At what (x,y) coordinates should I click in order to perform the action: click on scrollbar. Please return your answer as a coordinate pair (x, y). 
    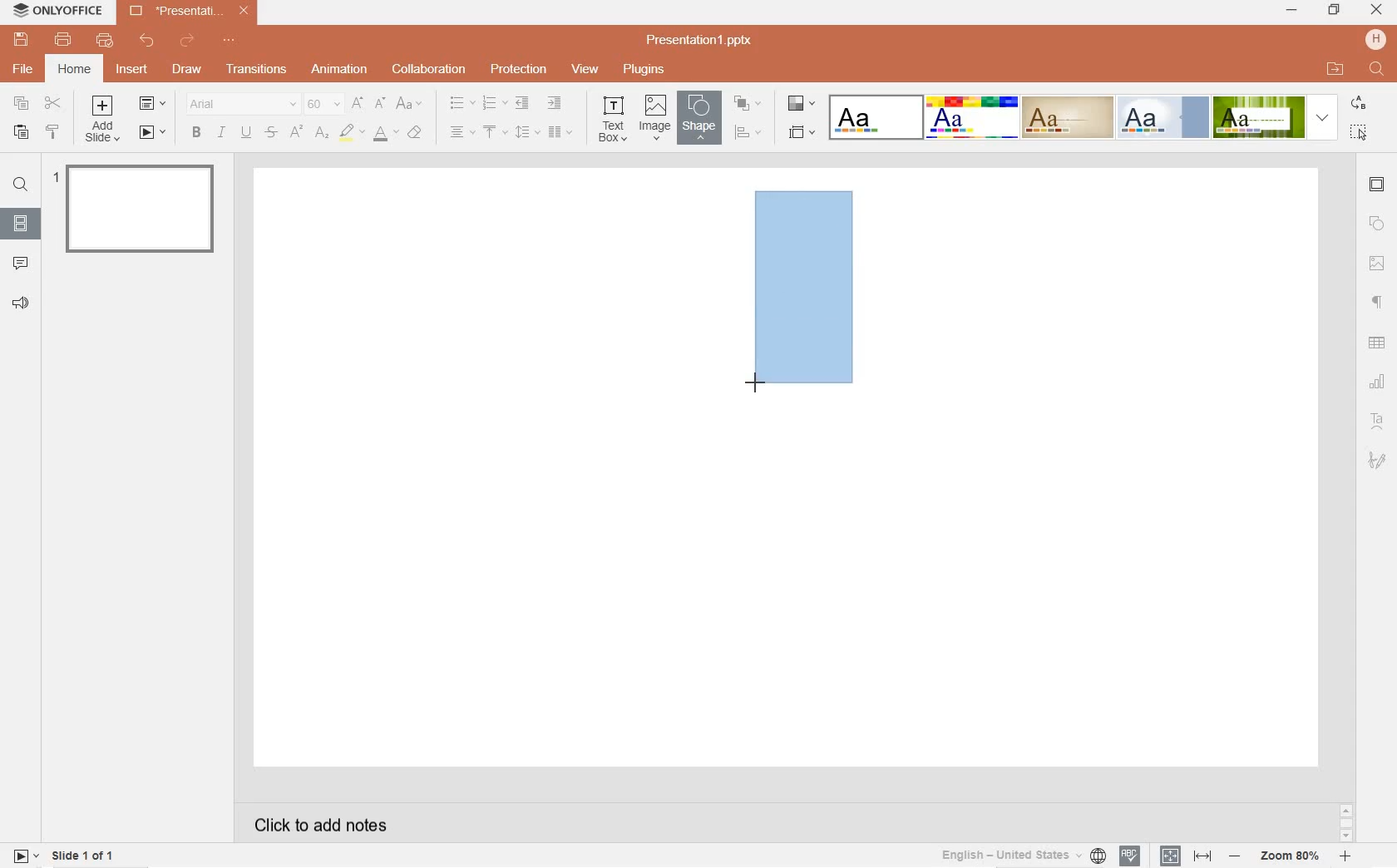
    Looking at the image, I should click on (1345, 822).